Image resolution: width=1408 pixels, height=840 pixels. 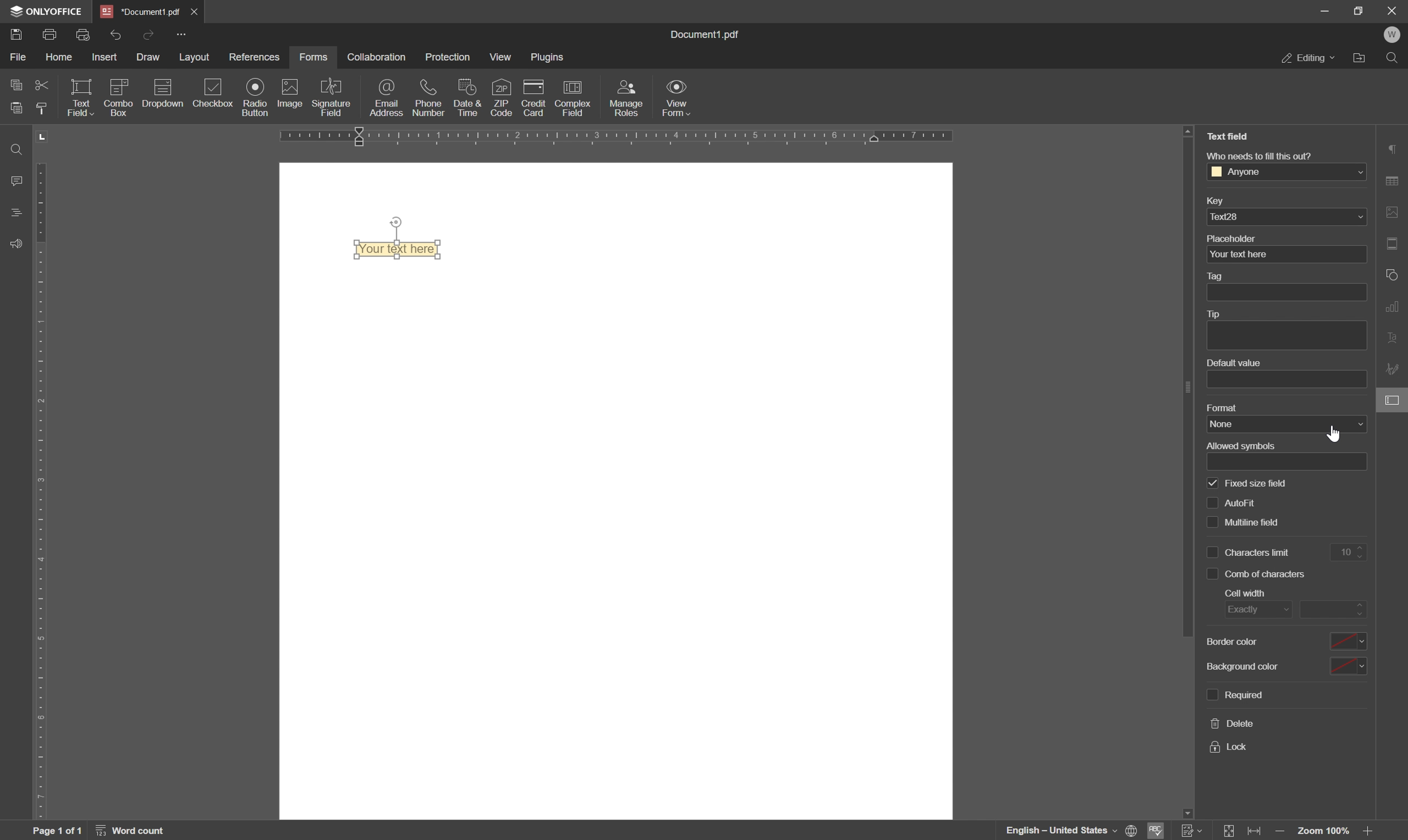 What do you see at coordinates (292, 95) in the screenshot?
I see `image` at bounding box center [292, 95].